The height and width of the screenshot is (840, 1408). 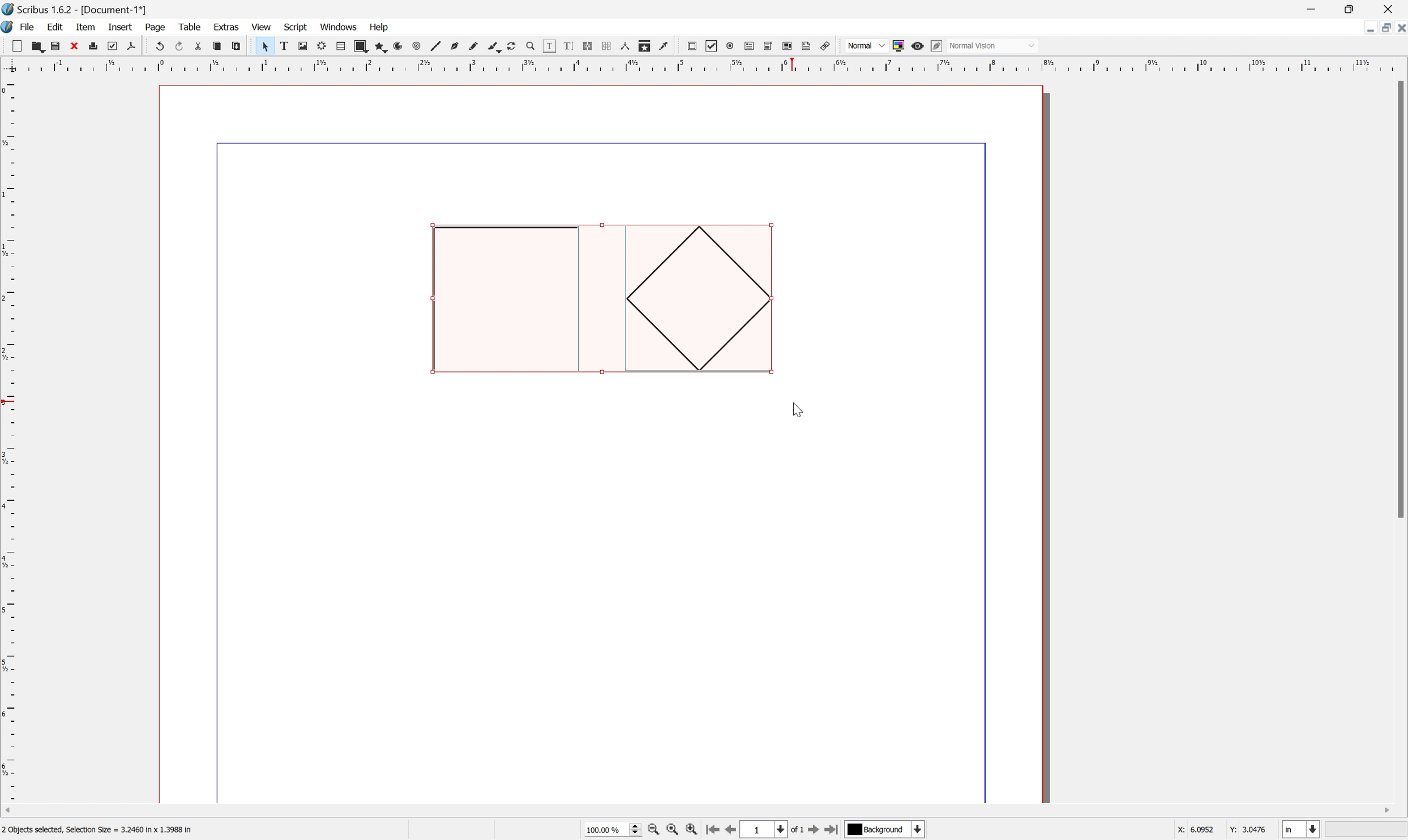 What do you see at coordinates (936, 45) in the screenshot?
I see `Edit preview` at bounding box center [936, 45].